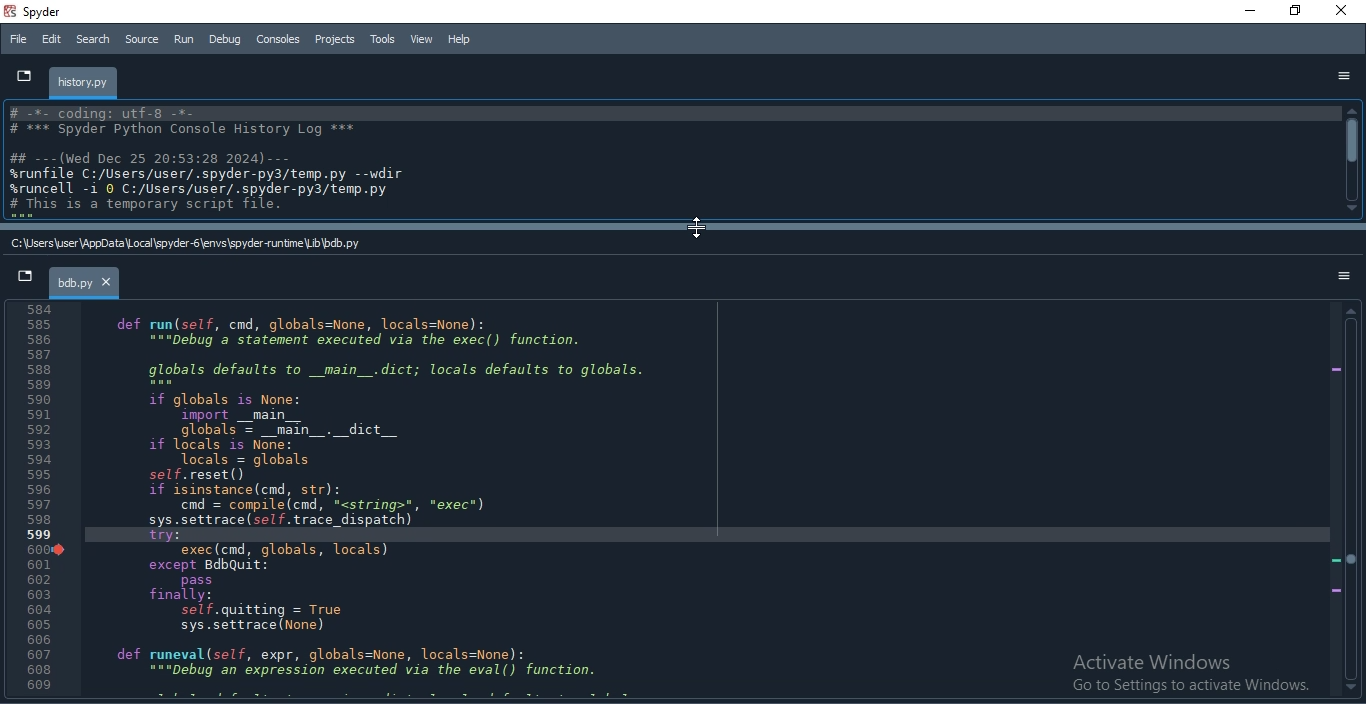 The width and height of the screenshot is (1366, 704). Describe the element at coordinates (143, 39) in the screenshot. I see `Source` at that location.